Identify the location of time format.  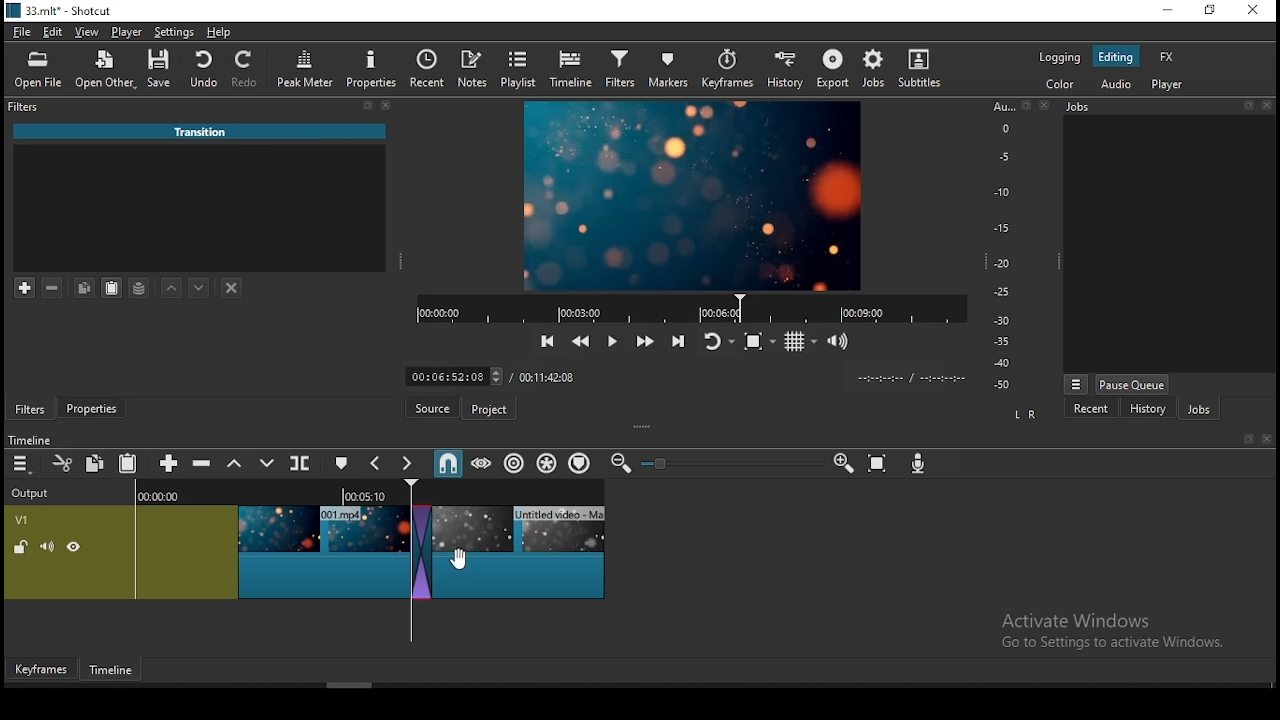
(911, 377).